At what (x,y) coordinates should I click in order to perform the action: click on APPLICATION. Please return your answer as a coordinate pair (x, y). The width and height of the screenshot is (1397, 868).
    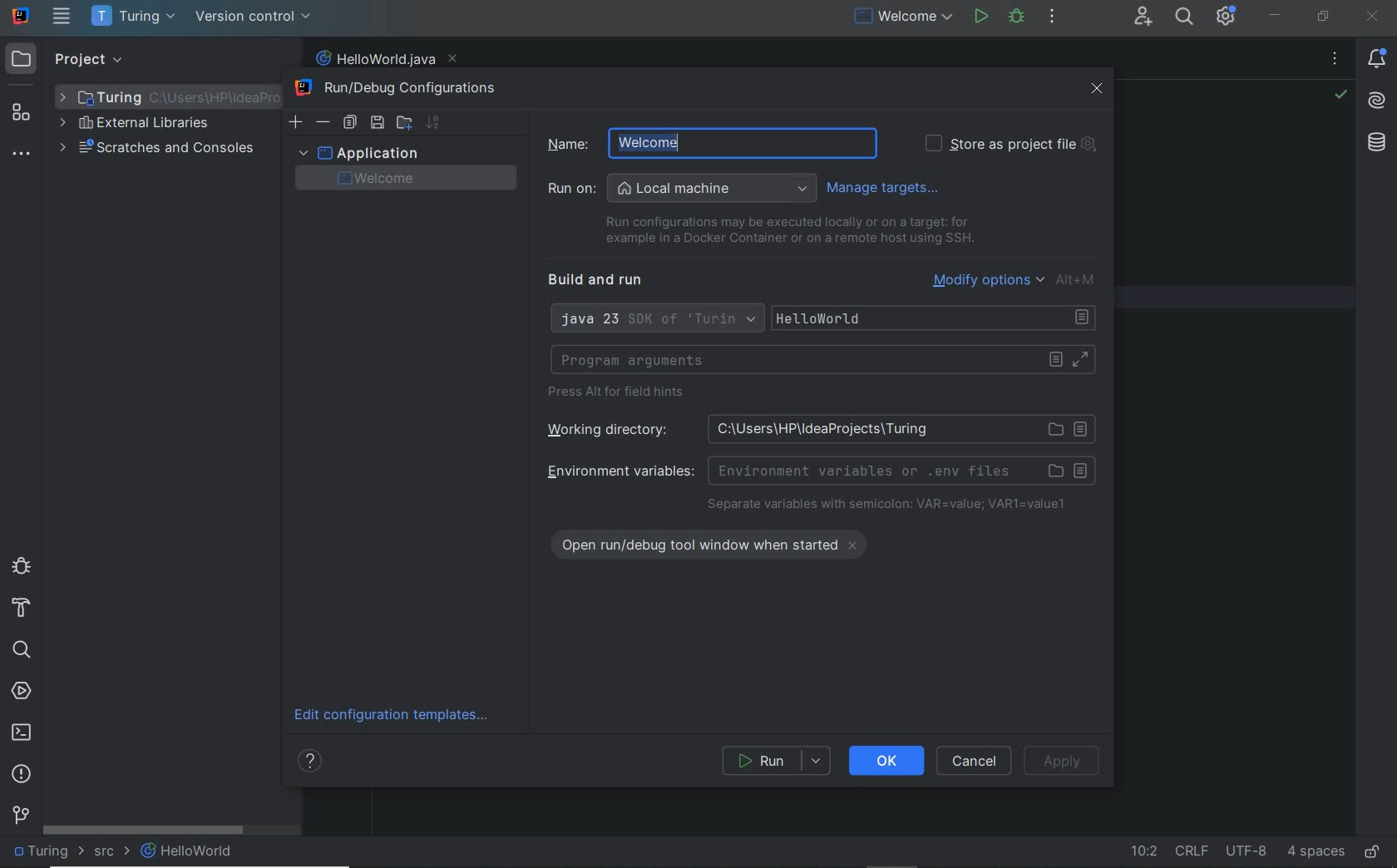
    Looking at the image, I should click on (358, 152).